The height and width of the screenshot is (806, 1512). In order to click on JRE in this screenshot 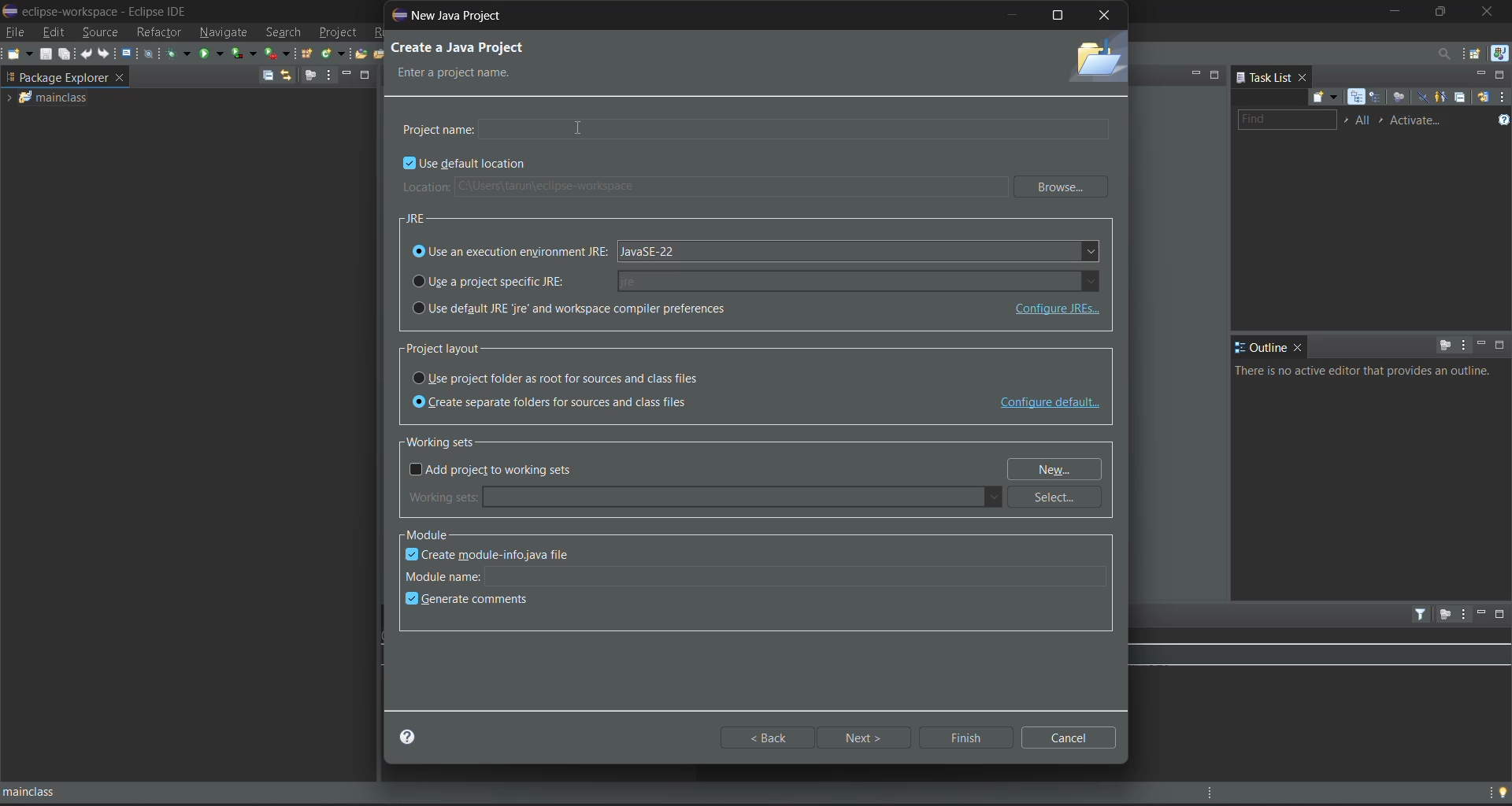, I will do `click(418, 217)`.